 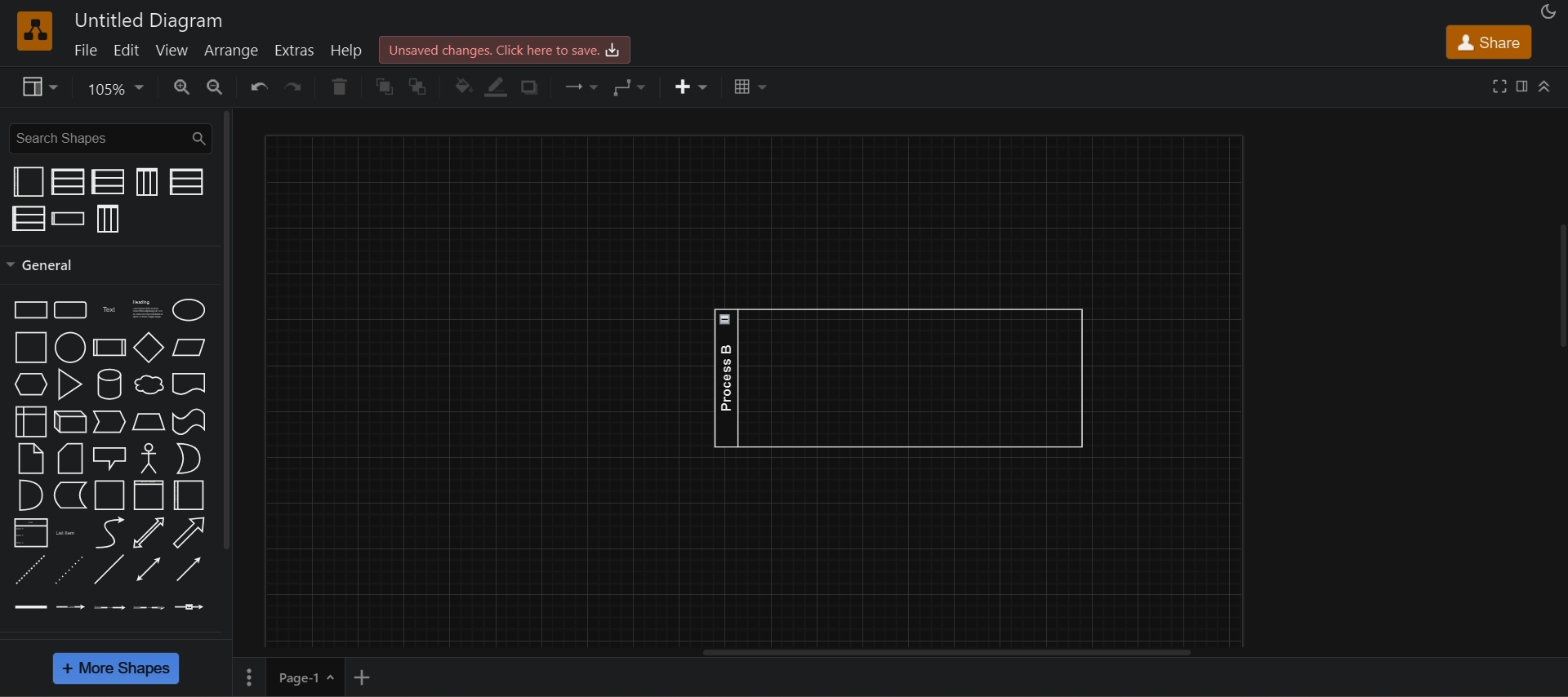 I want to click on collapase/expand, so click(x=1545, y=87).